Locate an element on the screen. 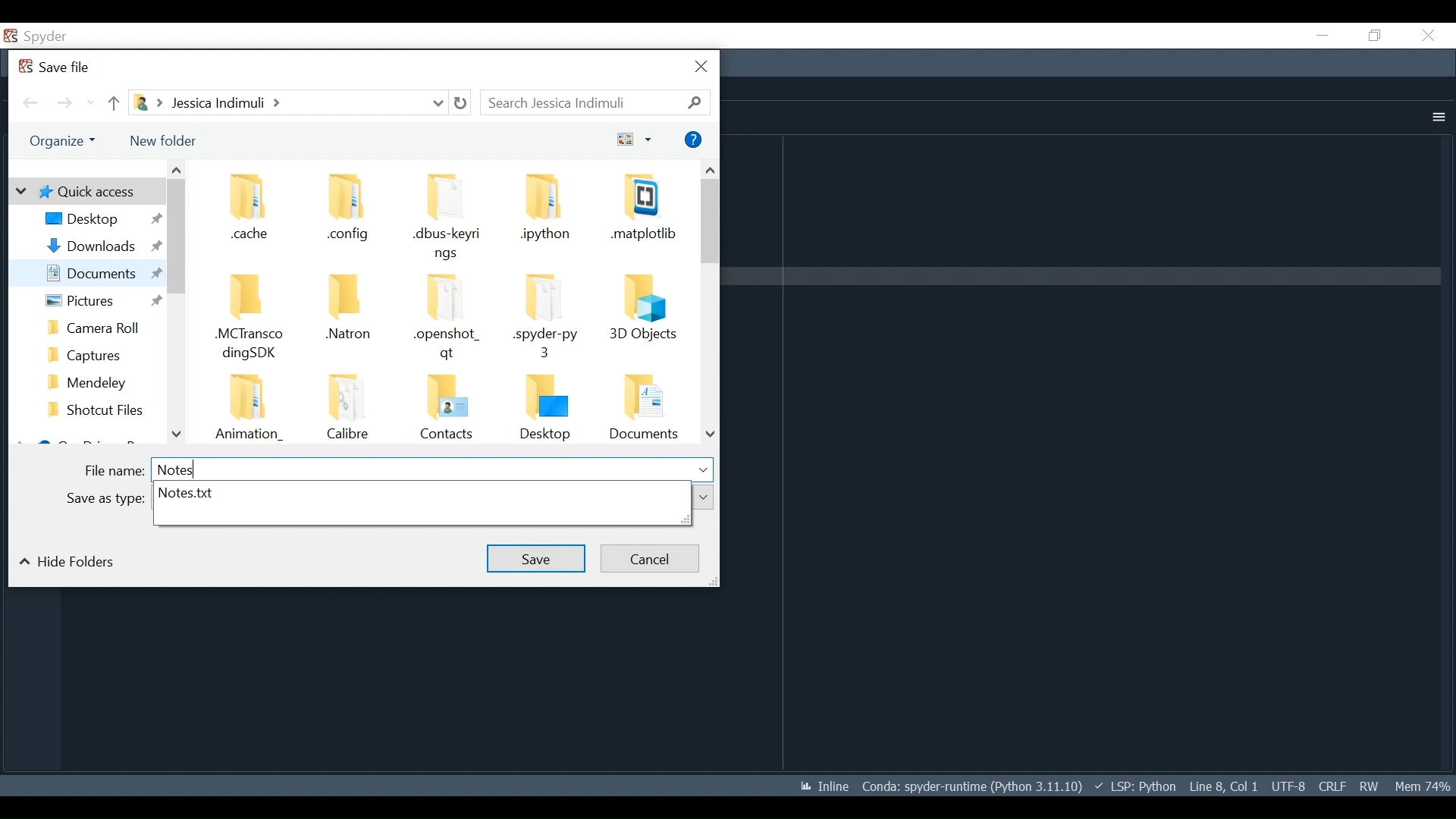 This screenshot has height=819, width=1456. Folder is located at coordinates (253, 209).